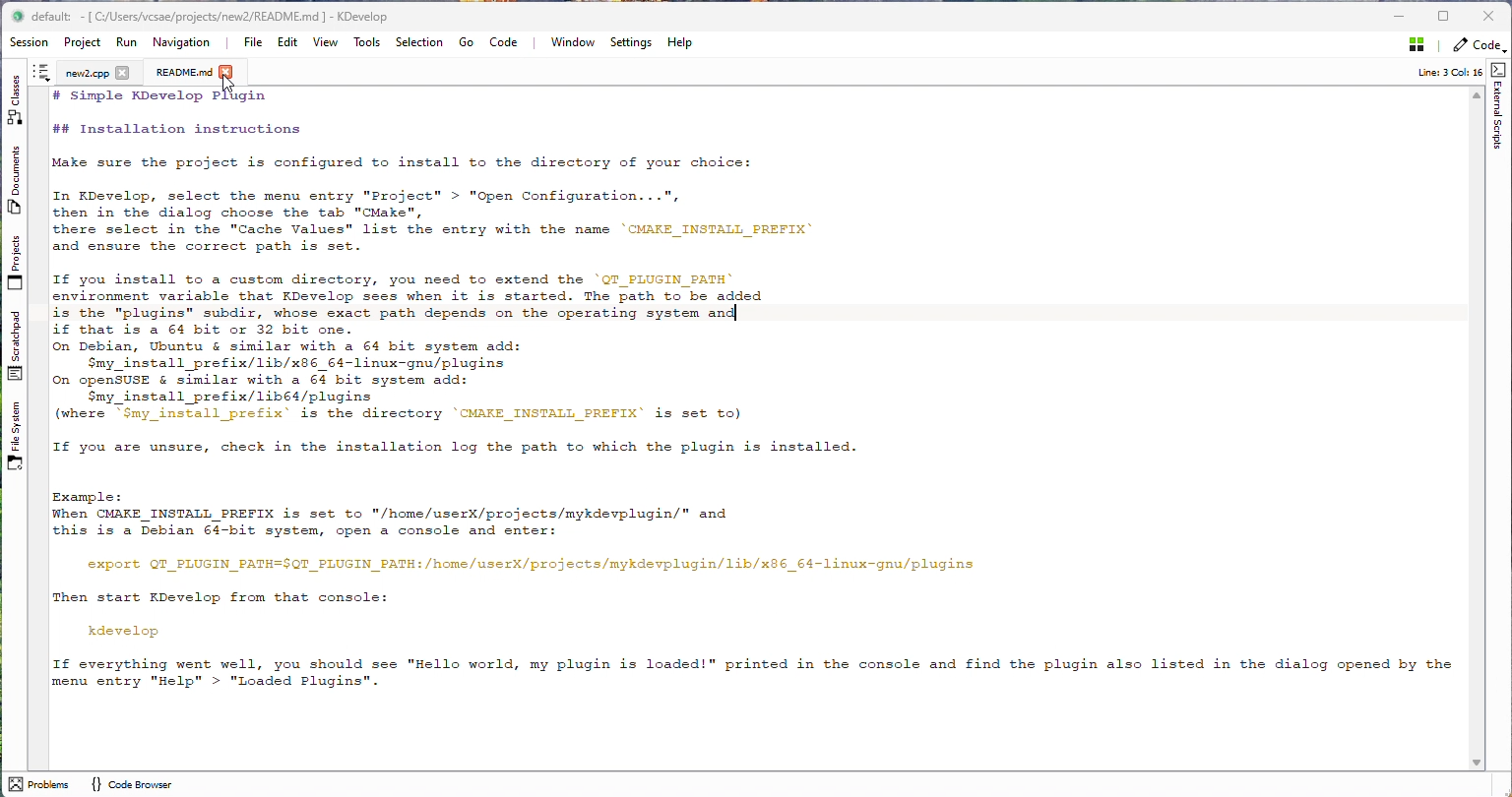 The height and width of the screenshot is (797, 1512). What do you see at coordinates (128, 44) in the screenshot?
I see `Run` at bounding box center [128, 44].